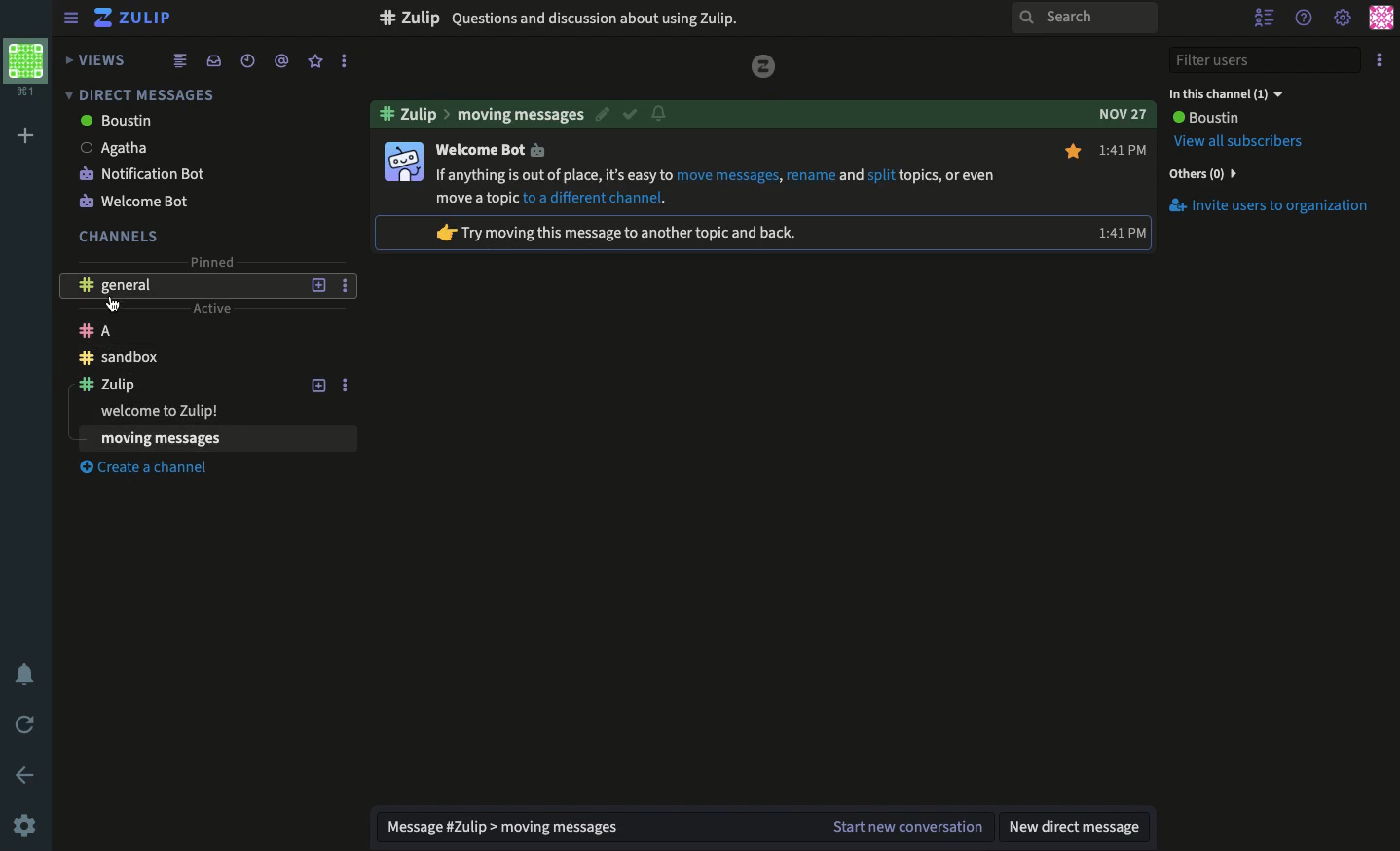 This screenshot has height=851, width=1400. Describe the element at coordinates (24, 65) in the screenshot. I see `Profile` at that location.